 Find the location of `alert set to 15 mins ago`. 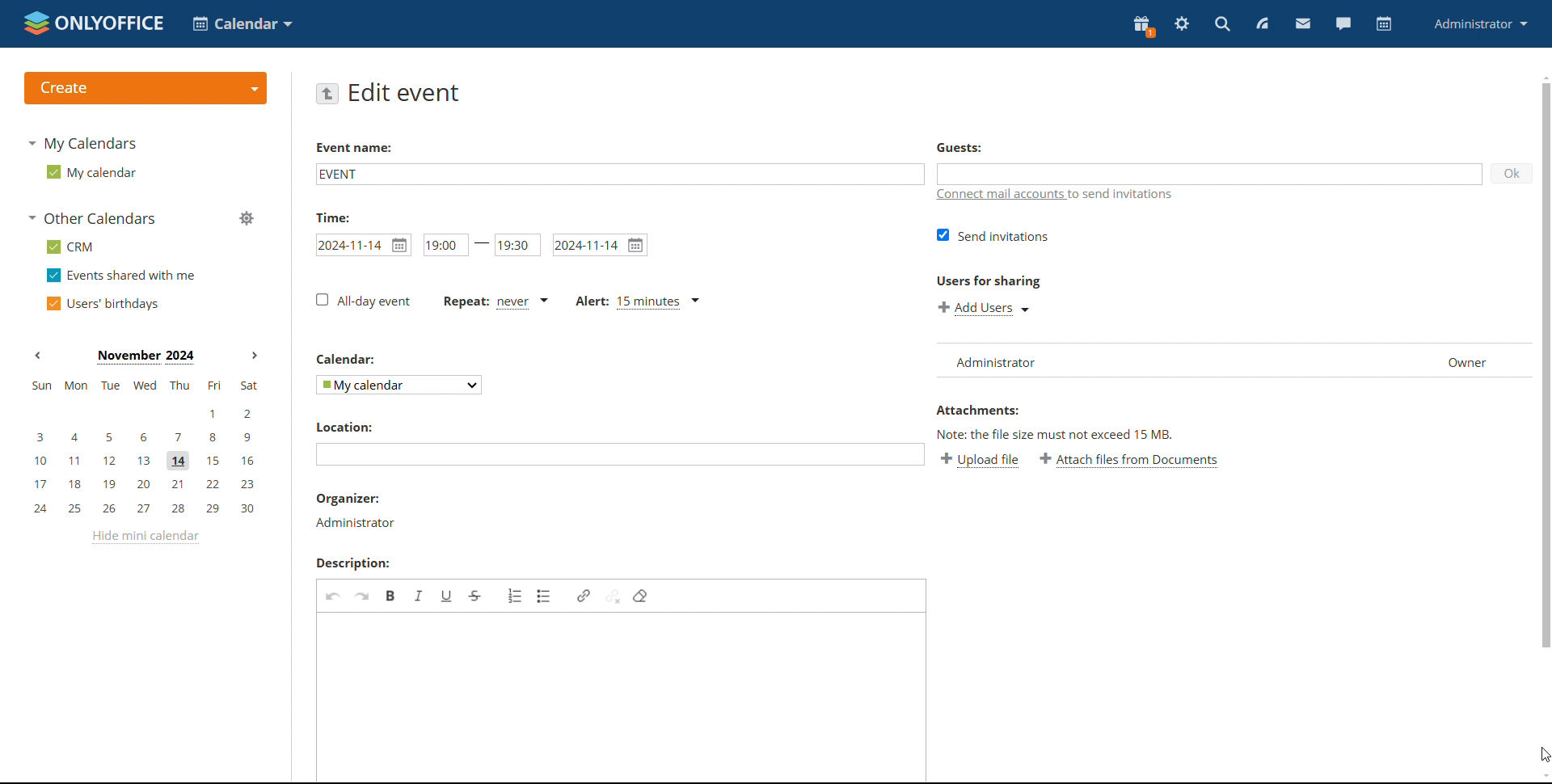

alert set to 15 mins ago is located at coordinates (637, 301).